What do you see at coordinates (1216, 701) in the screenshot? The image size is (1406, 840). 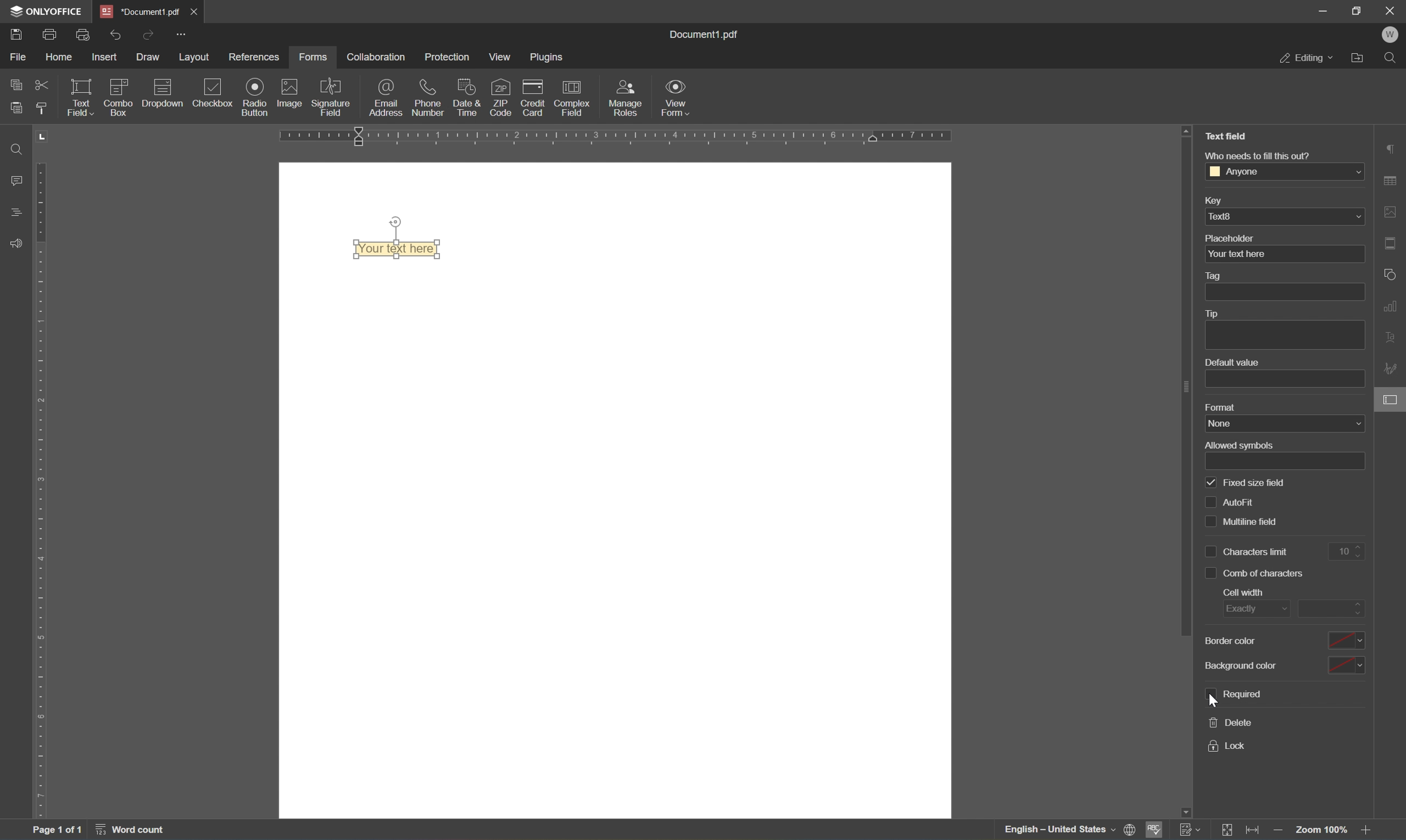 I see `cursor` at bounding box center [1216, 701].